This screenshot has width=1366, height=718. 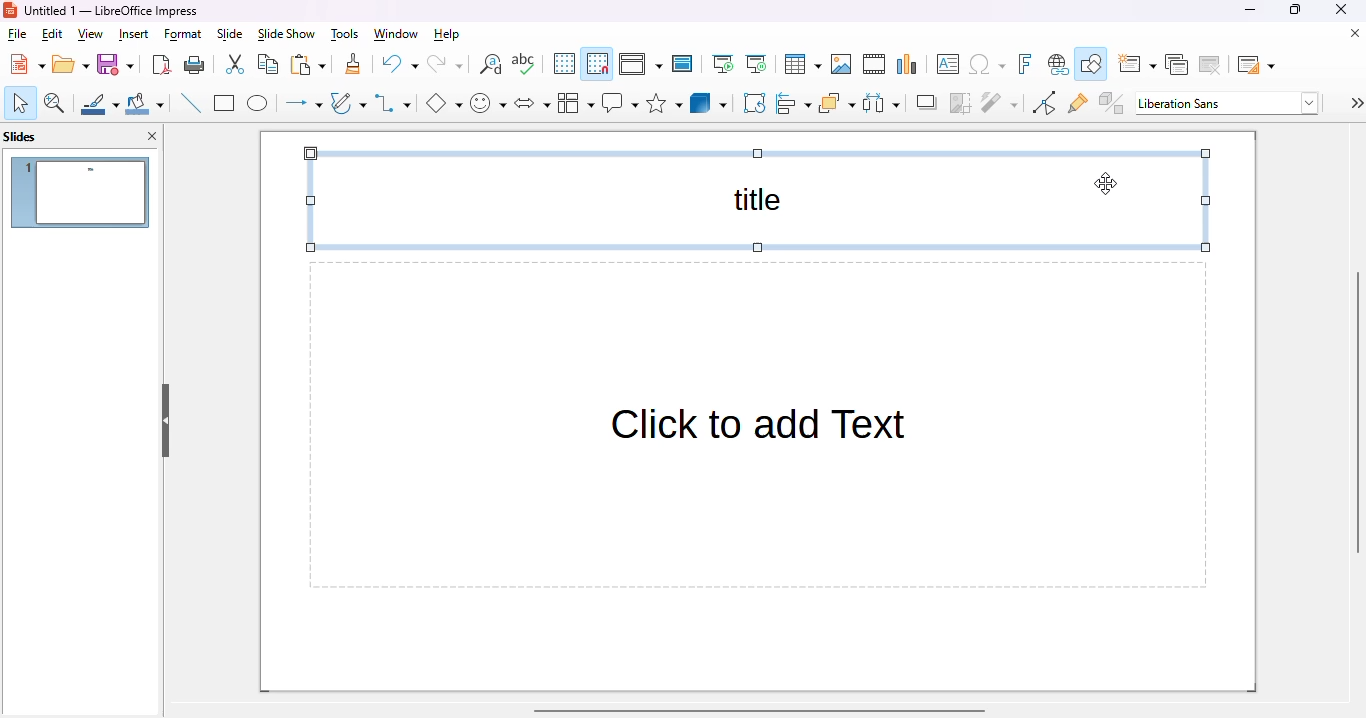 I want to click on paste, so click(x=308, y=65).